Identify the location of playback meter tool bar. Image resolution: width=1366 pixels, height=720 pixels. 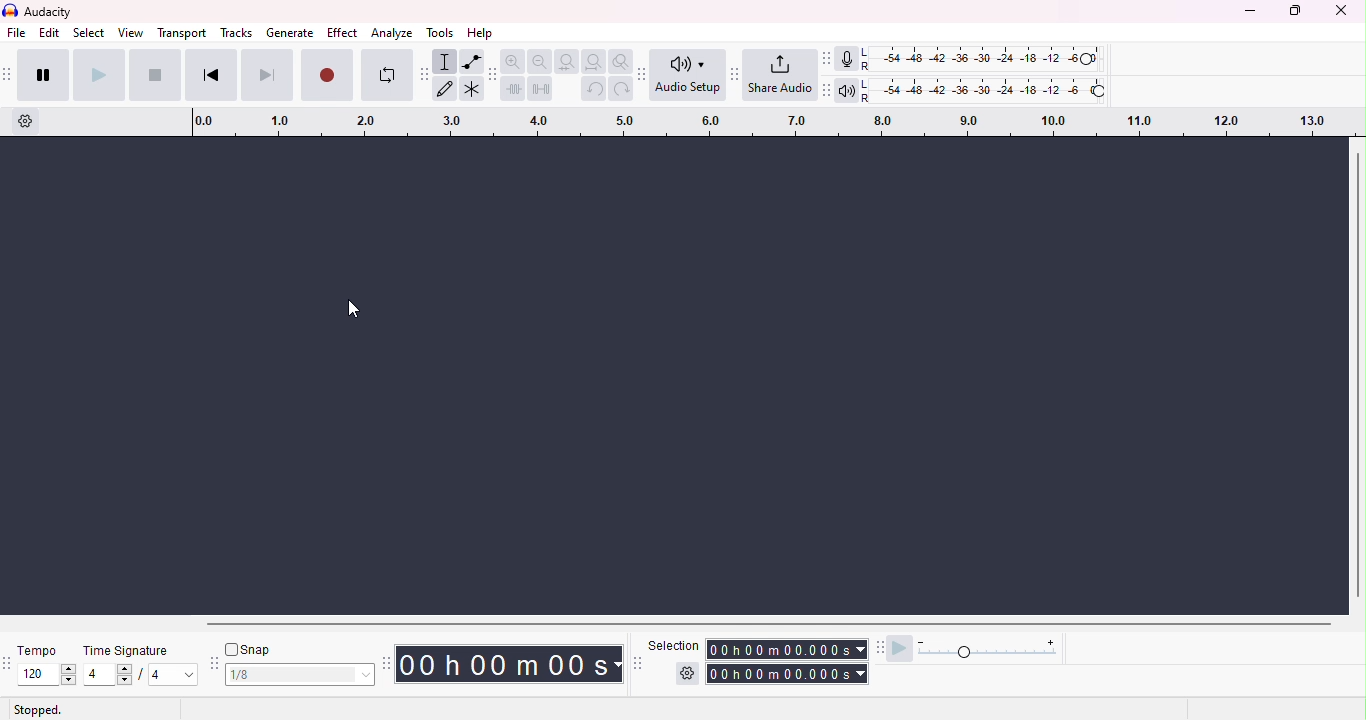
(828, 88).